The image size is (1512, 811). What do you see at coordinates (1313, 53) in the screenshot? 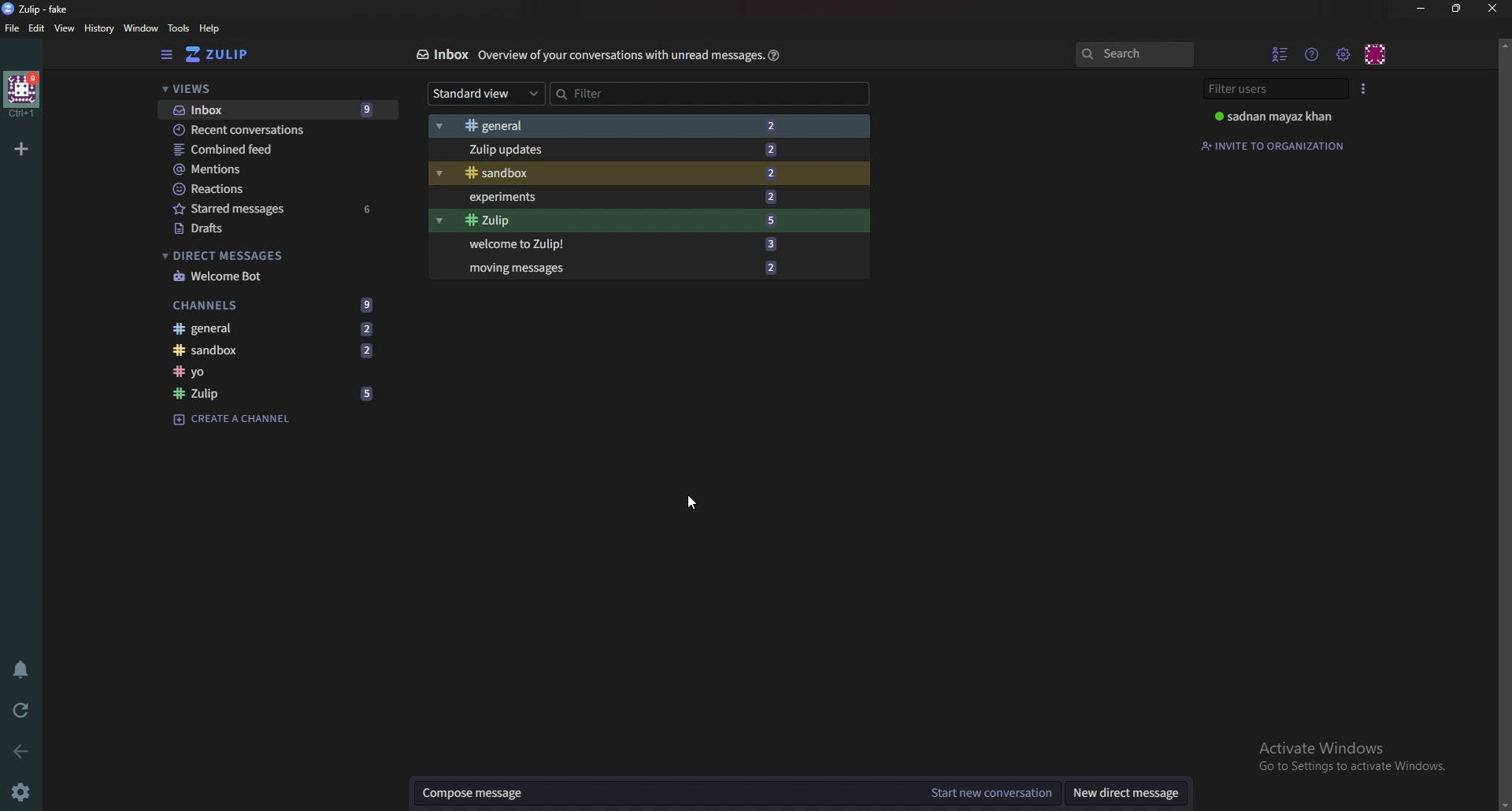
I see `help menu` at bounding box center [1313, 53].